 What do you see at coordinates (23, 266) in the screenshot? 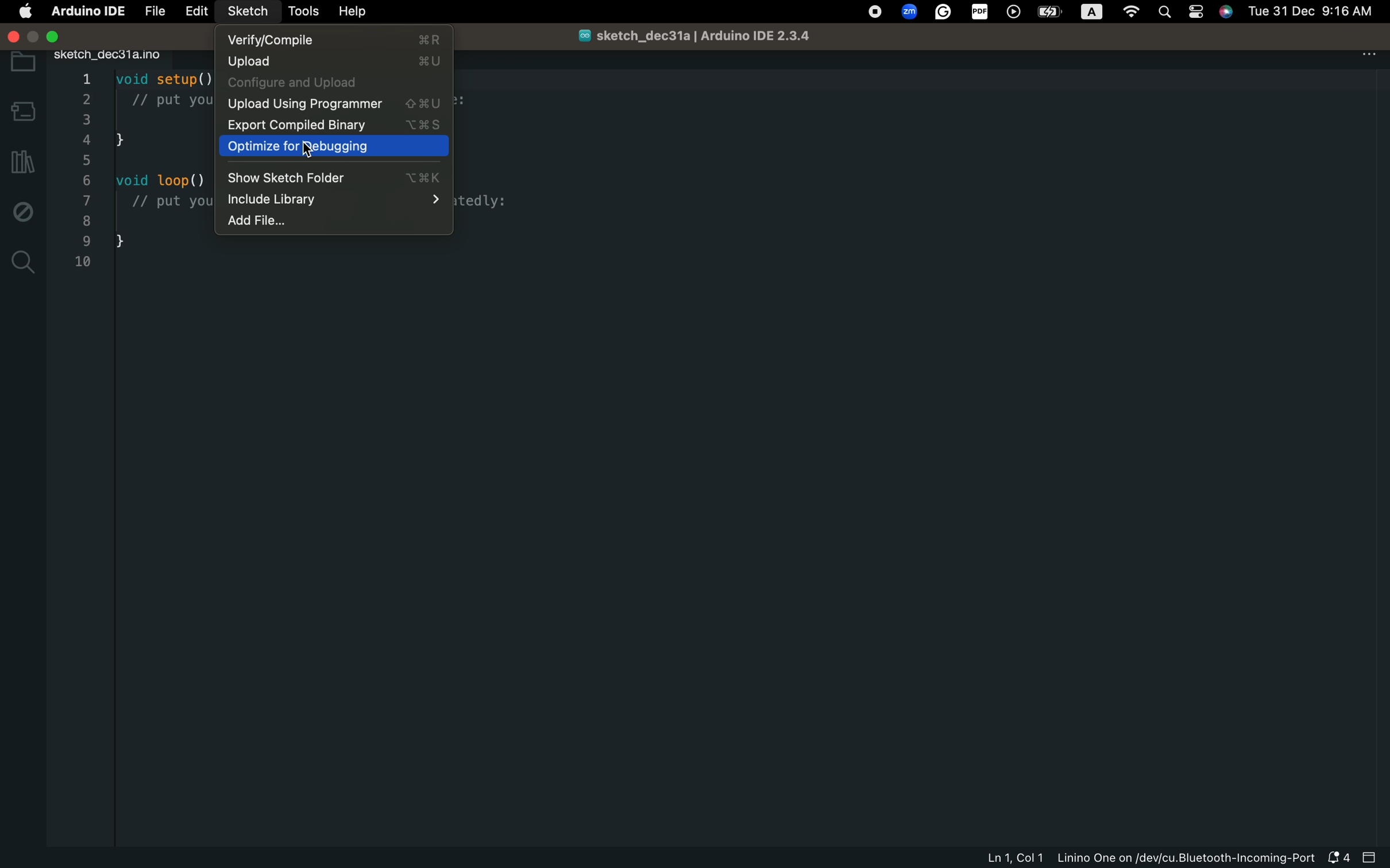
I see `search` at bounding box center [23, 266].